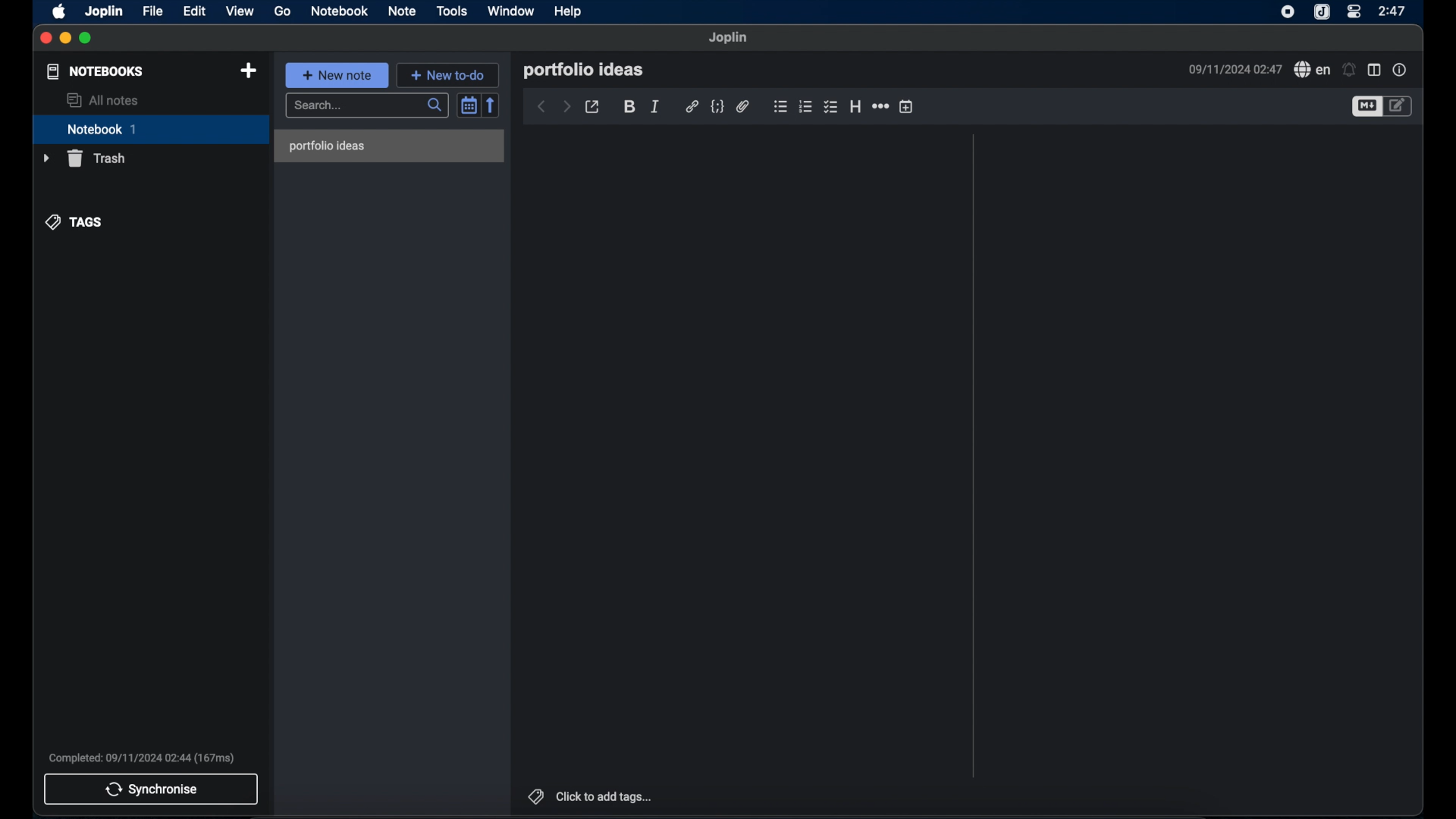 This screenshot has width=1456, height=819. I want to click on insert time, so click(907, 107).